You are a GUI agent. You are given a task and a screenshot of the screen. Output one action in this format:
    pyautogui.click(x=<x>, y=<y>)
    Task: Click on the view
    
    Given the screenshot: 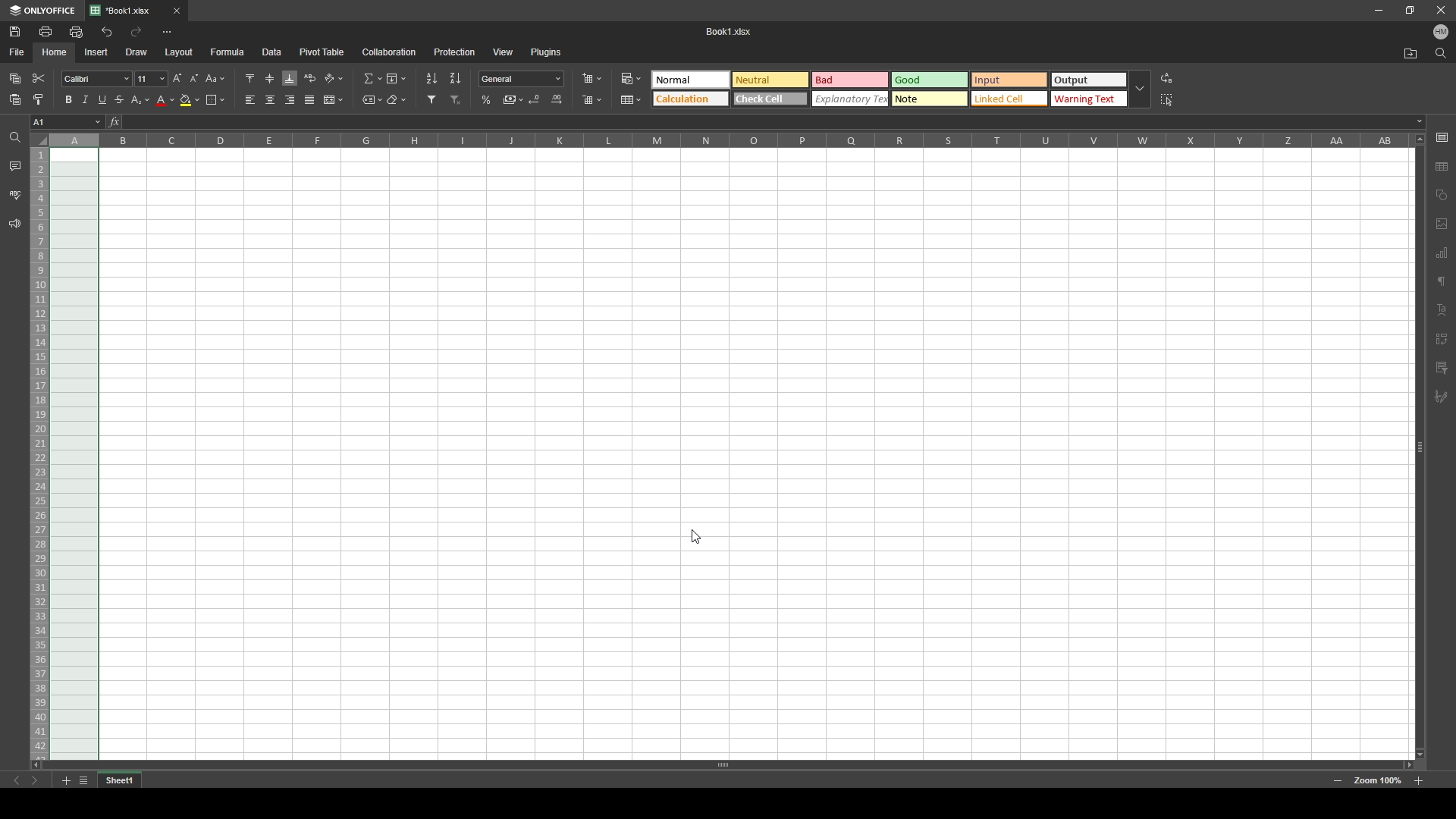 What is the action you would take?
    pyautogui.click(x=504, y=52)
    